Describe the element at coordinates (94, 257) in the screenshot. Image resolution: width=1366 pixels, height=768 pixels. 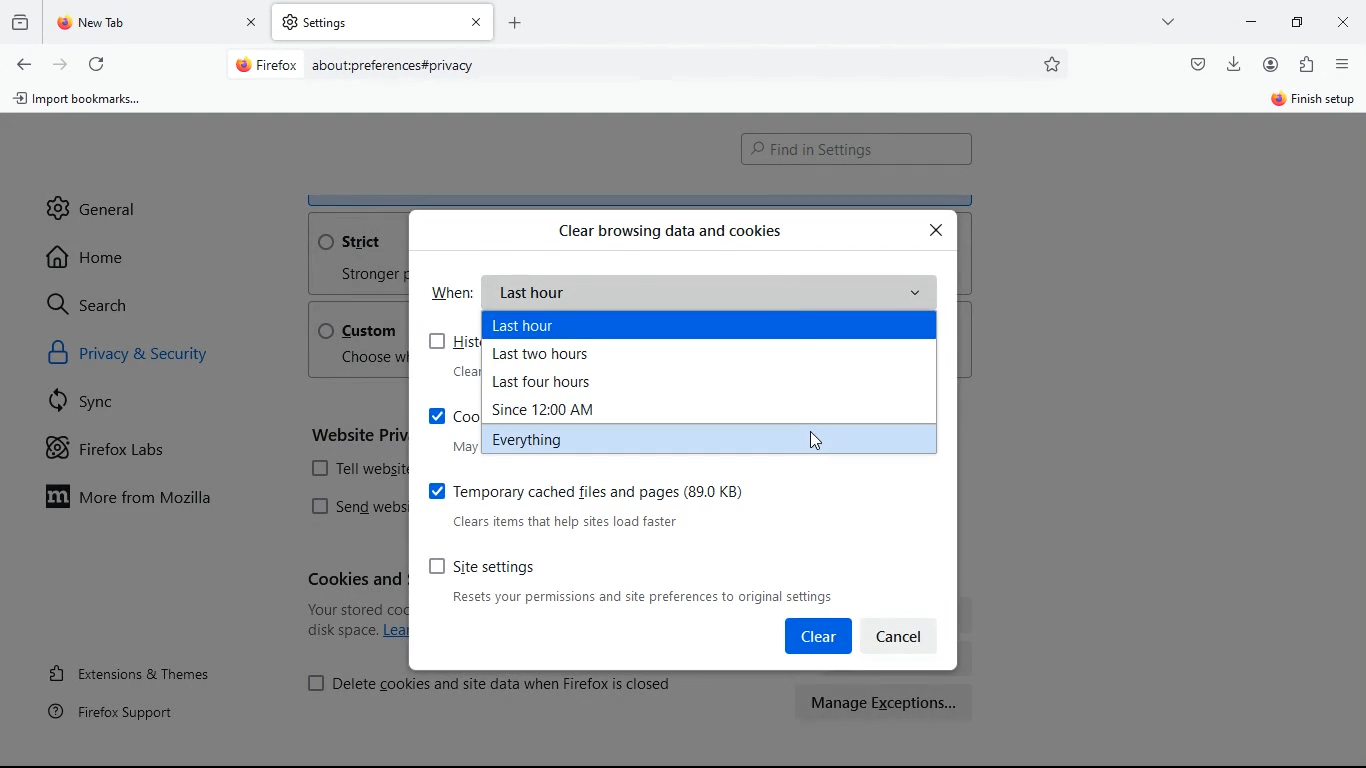
I see `home` at that location.